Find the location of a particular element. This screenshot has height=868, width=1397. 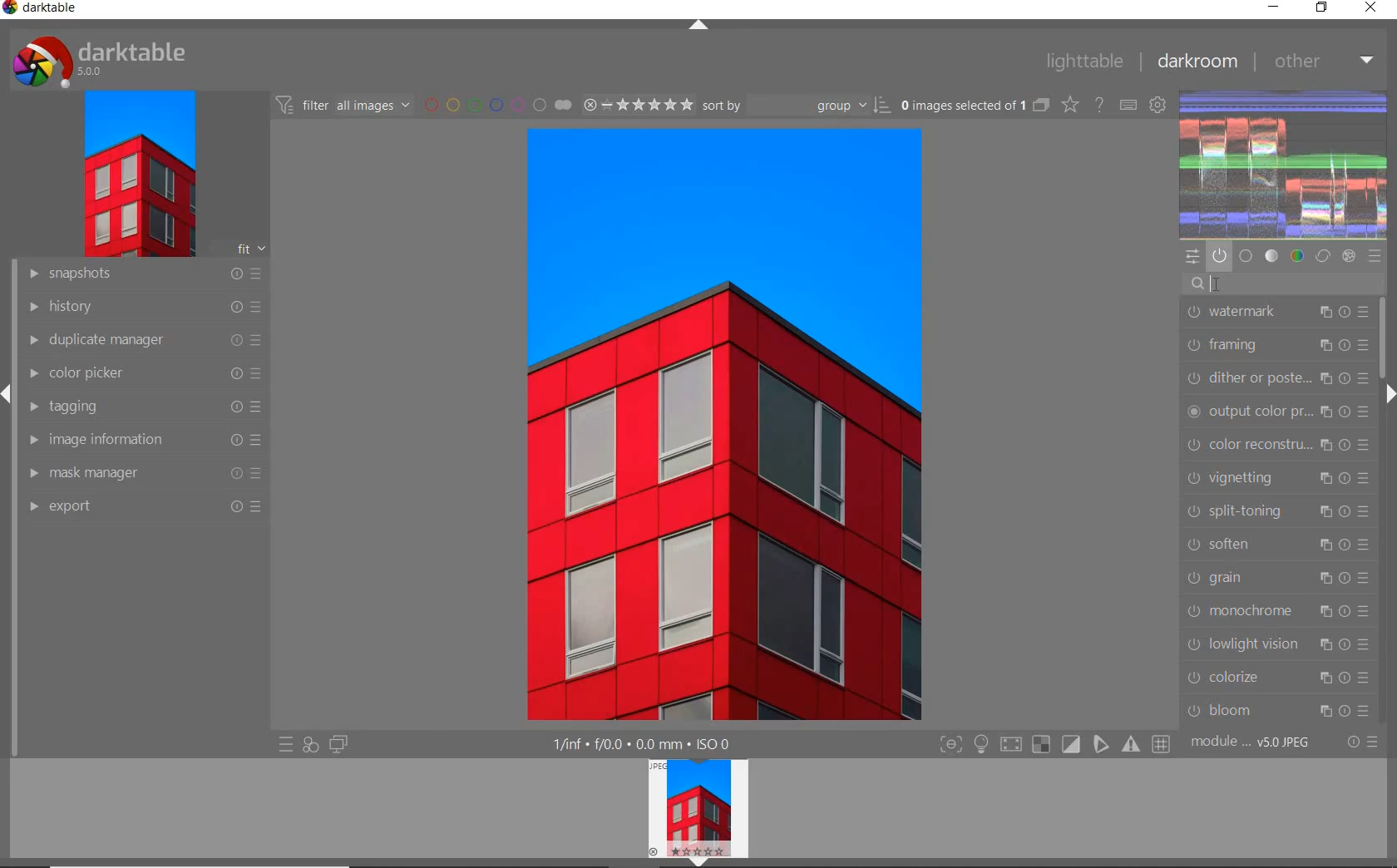

split-toning is located at coordinates (1278, 510).